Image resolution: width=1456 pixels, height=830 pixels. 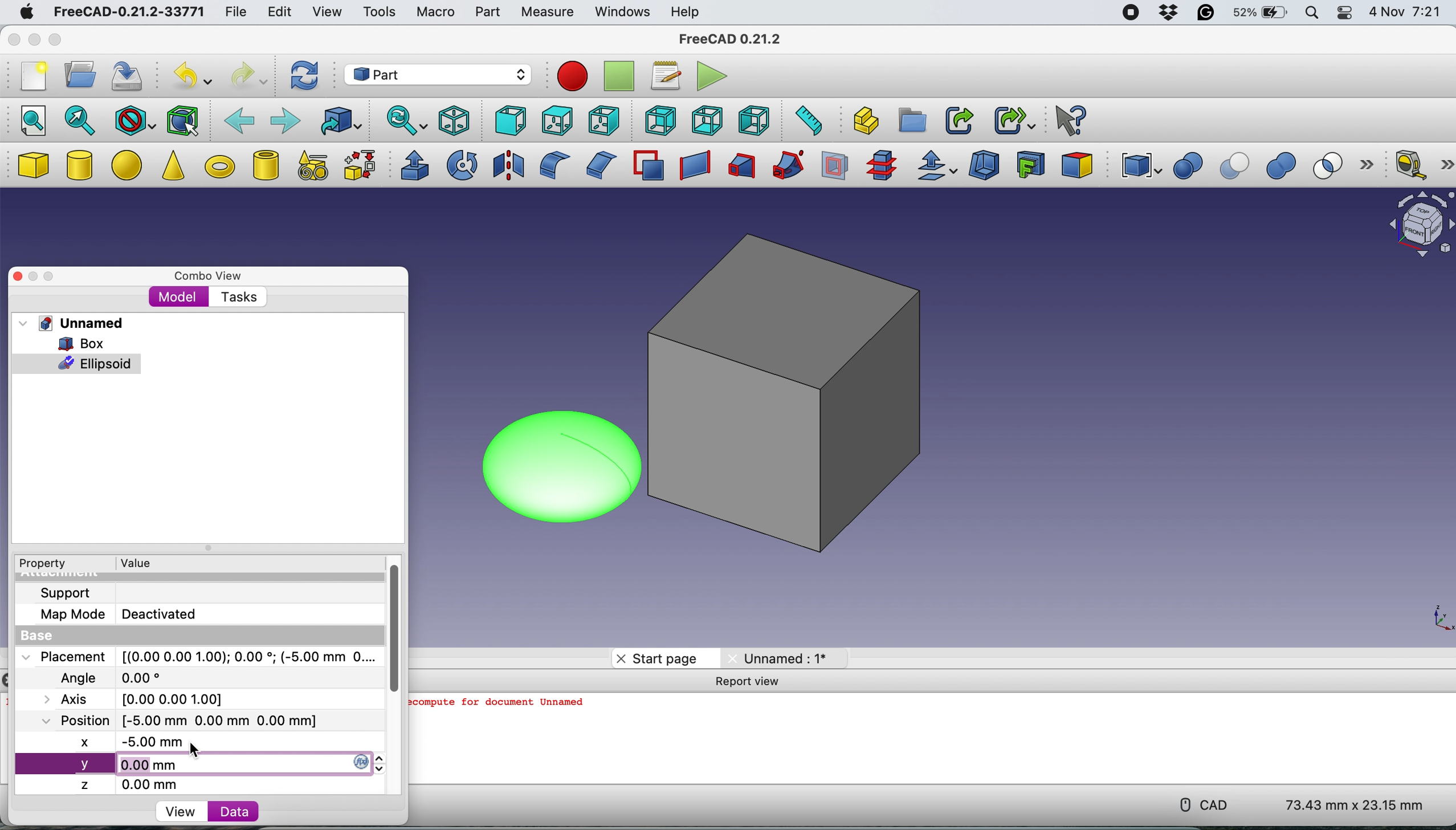 What do you see at coordinates (835, 169) in the screenshot?
I see `section` at bounding box center [835, 169].